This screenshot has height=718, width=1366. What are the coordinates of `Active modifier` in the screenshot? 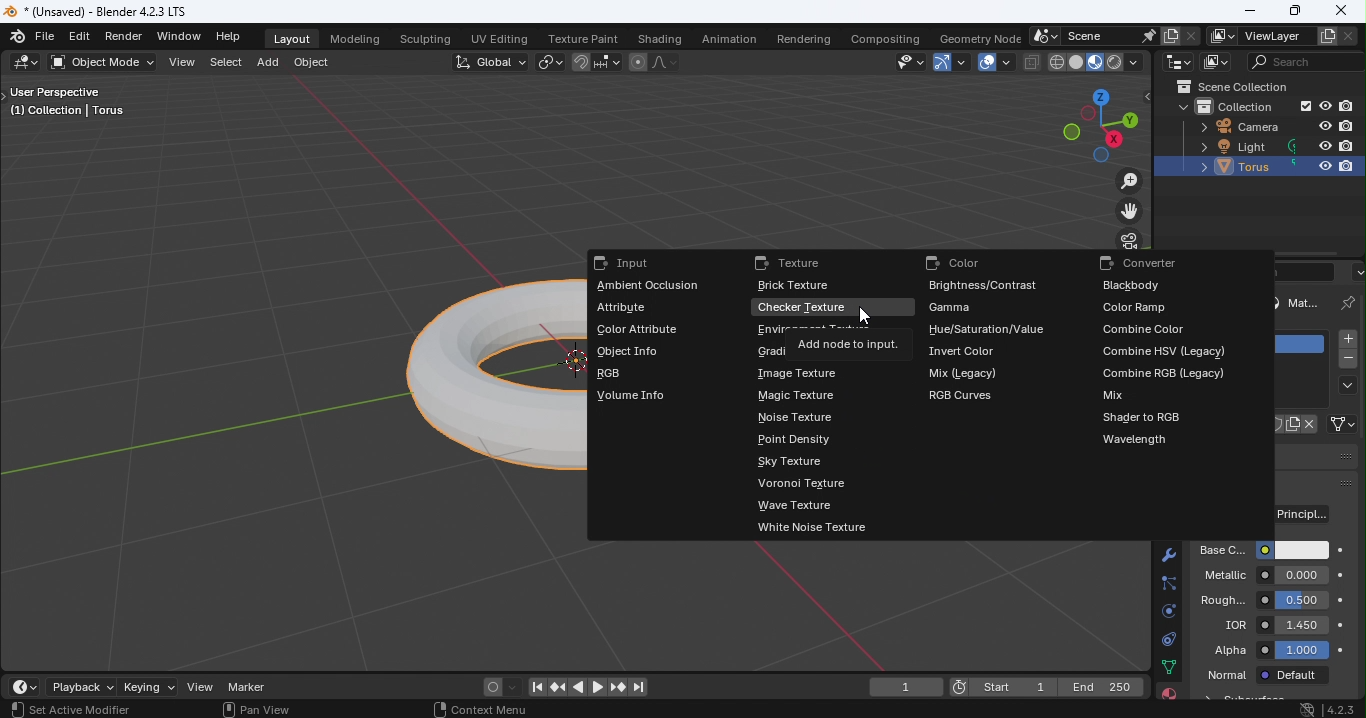 It's located at (89, 710).